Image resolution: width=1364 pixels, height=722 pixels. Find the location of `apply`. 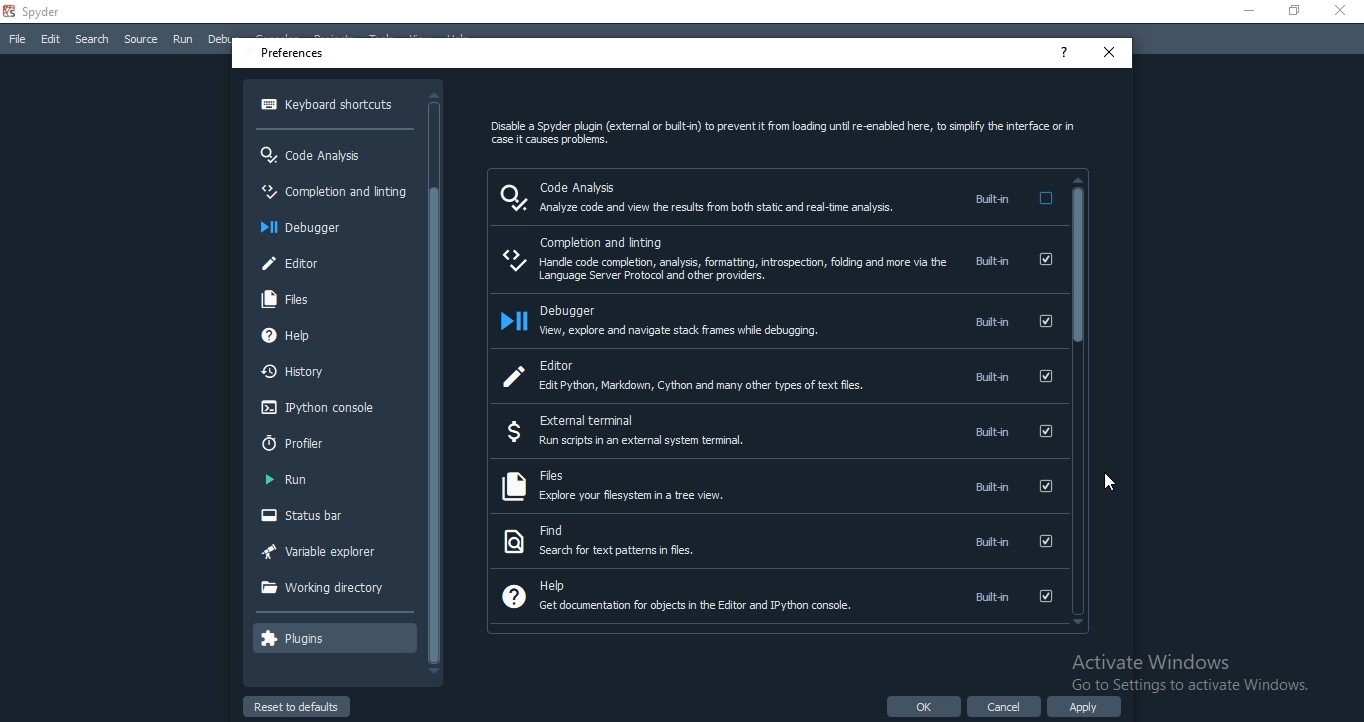

apply is located at coordinates (1084, 706).